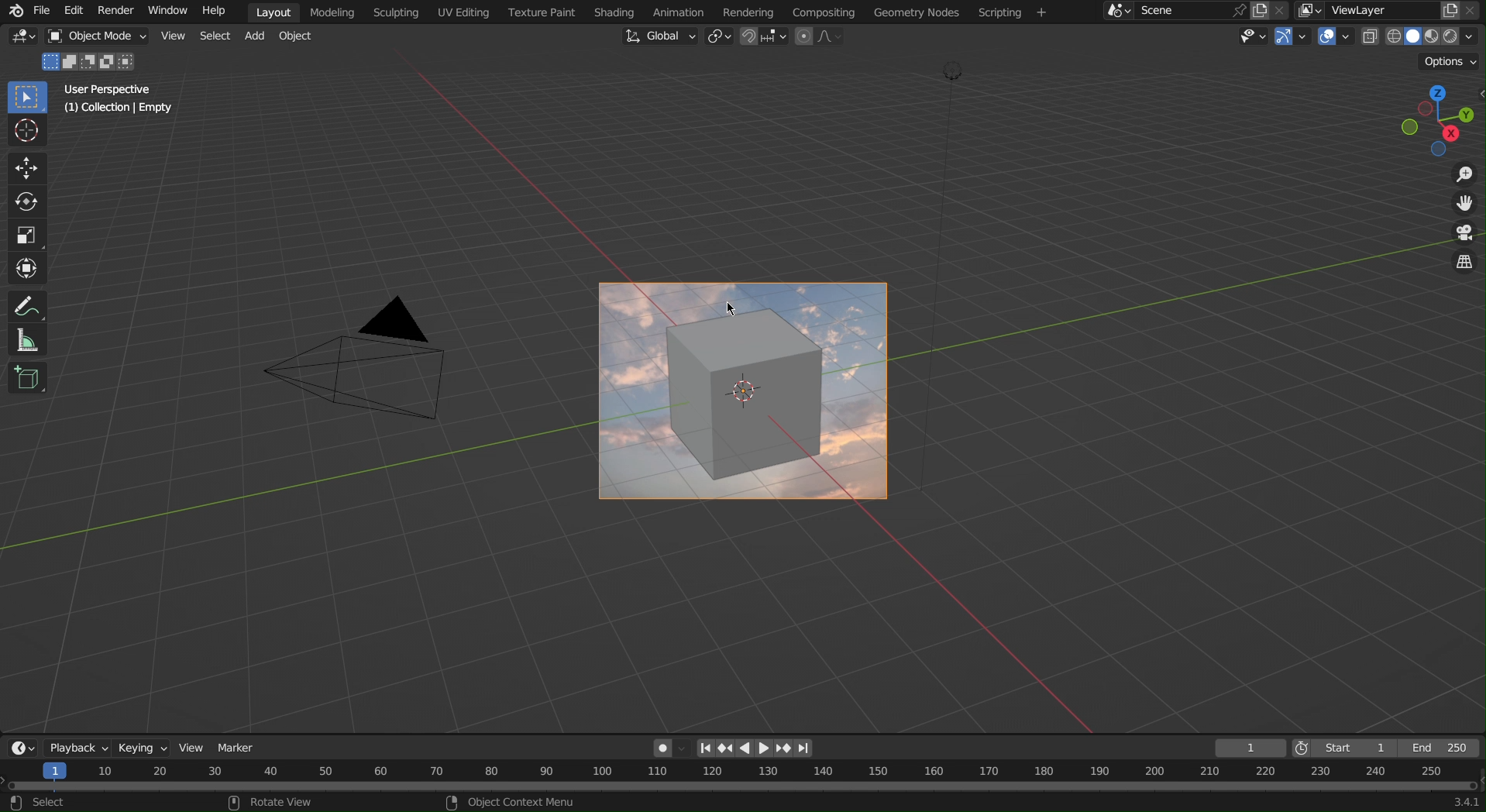 This screenshot has width=1486, height=812. What do you see at coordinates (1464, 234) in the screenshot?
I see `Camera View` at bounding box center [1464, 234].